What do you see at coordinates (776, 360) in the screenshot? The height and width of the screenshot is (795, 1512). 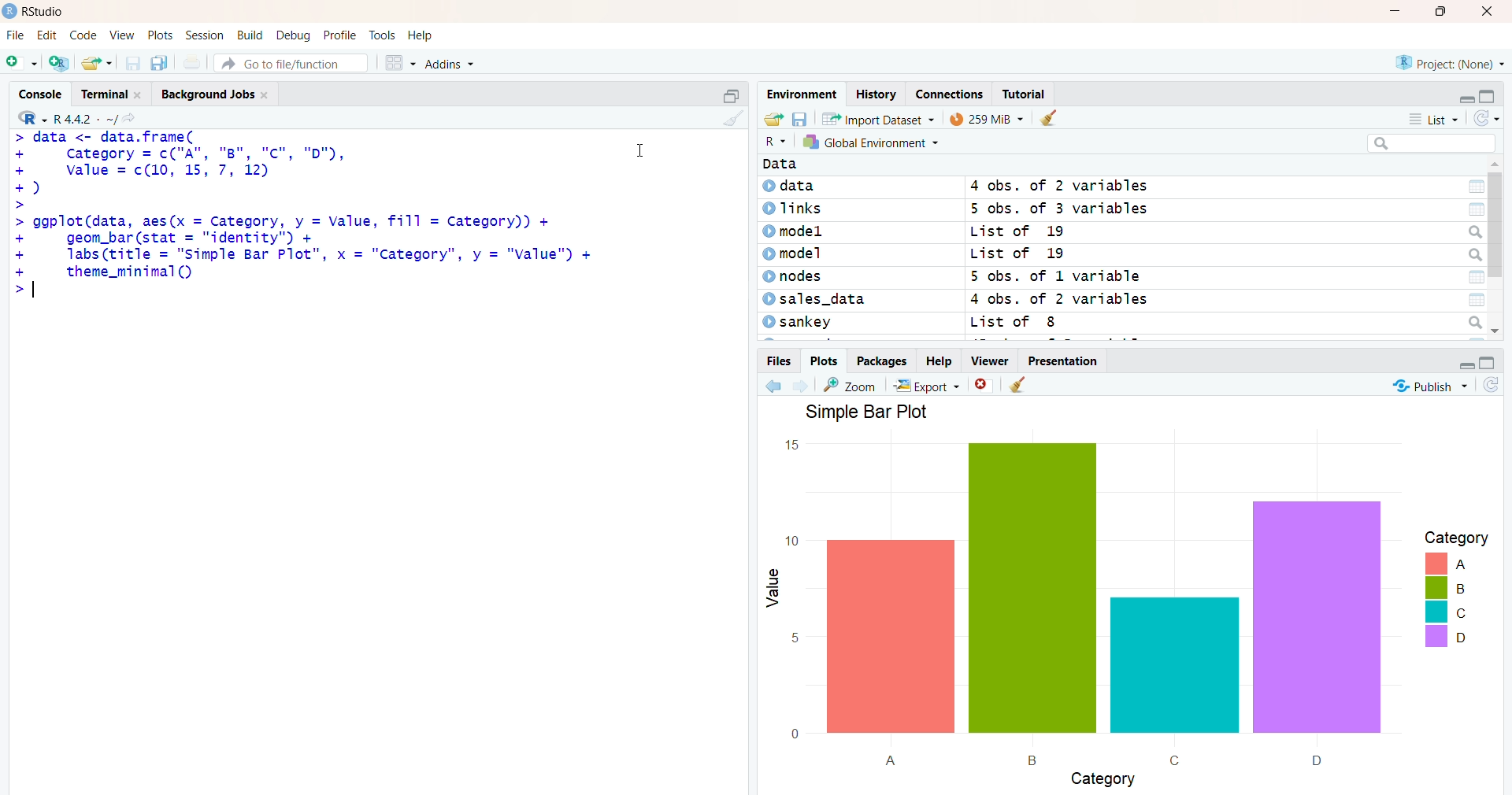 I see `Files` at bounding box center [776, 360].